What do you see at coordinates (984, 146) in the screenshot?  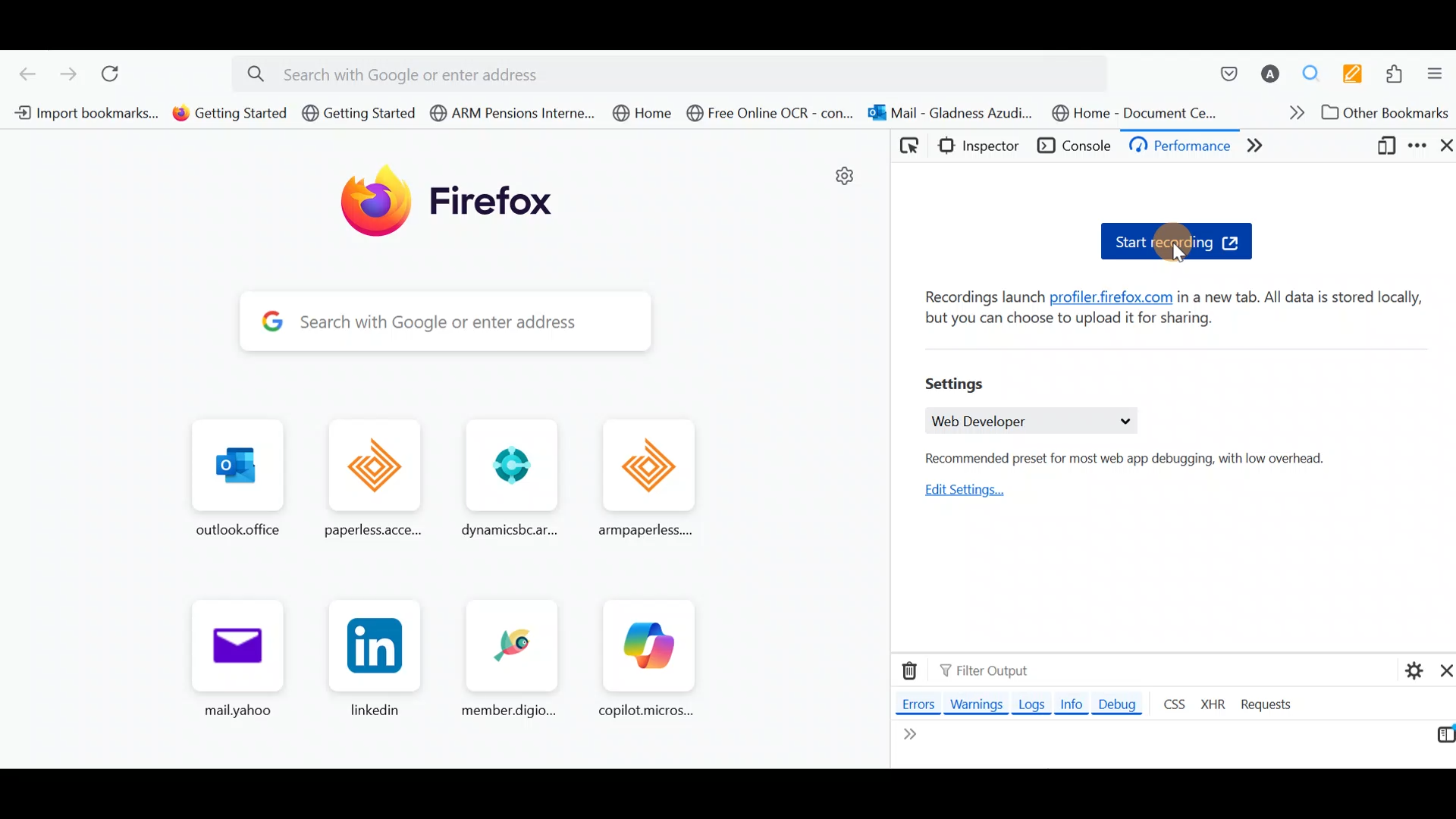 I see `Inspector` at bounding box center [984, 146].